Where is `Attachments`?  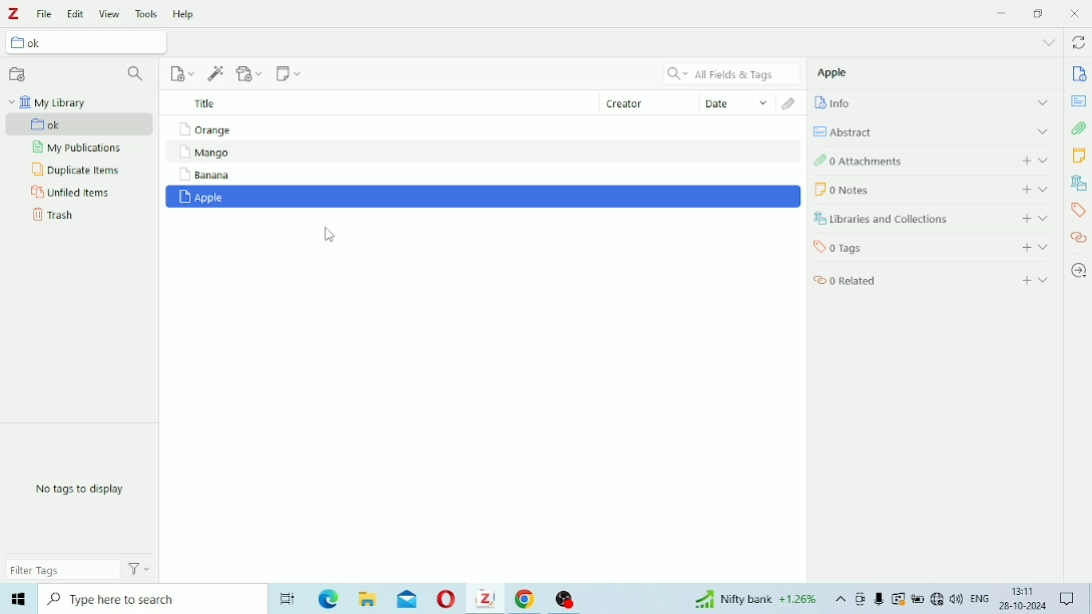
Attachments is located at coordinates (1080, 129).